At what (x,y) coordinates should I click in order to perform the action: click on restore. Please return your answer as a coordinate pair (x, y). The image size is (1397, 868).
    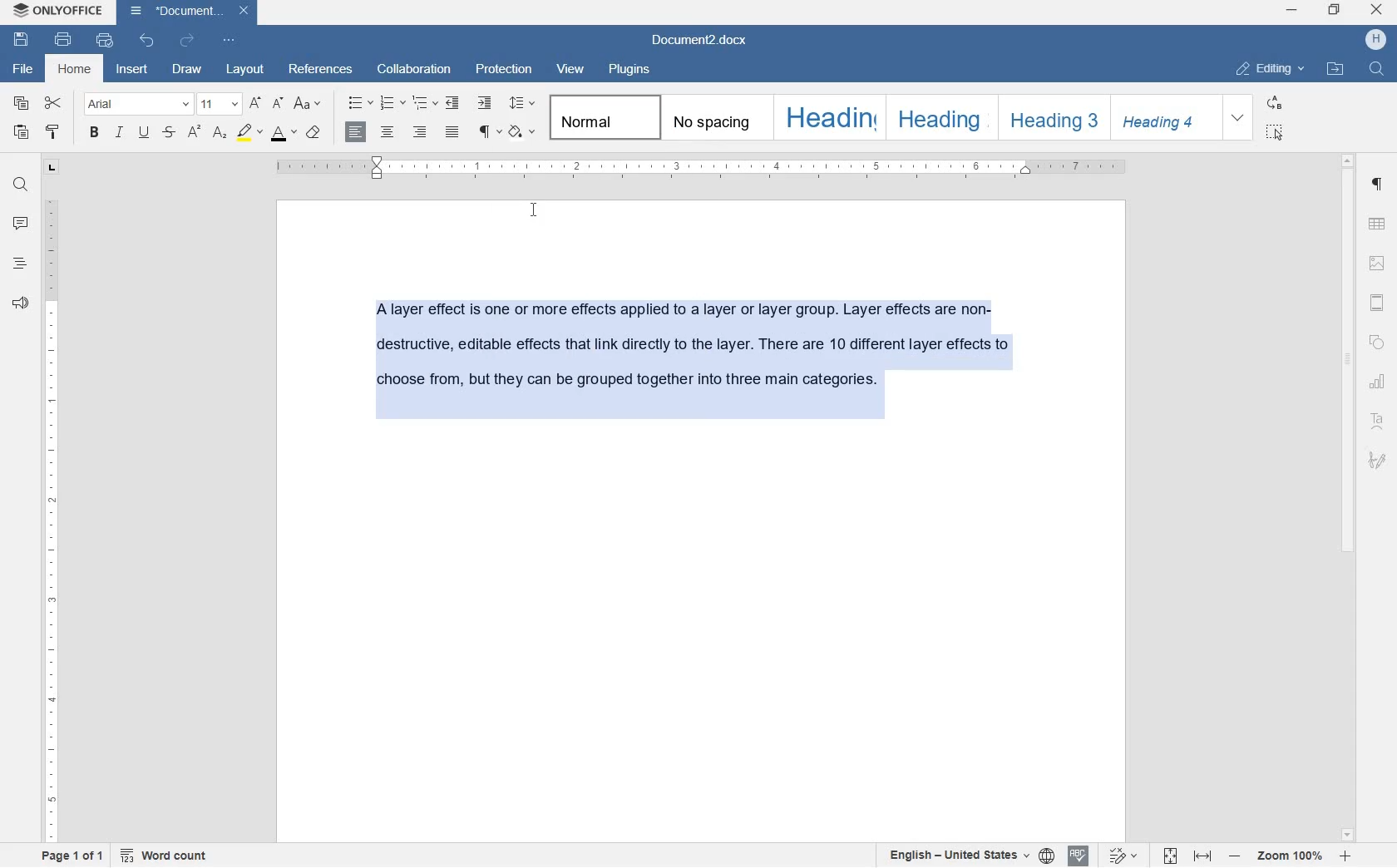
    Looking at the image, I should click on (1337, 9).